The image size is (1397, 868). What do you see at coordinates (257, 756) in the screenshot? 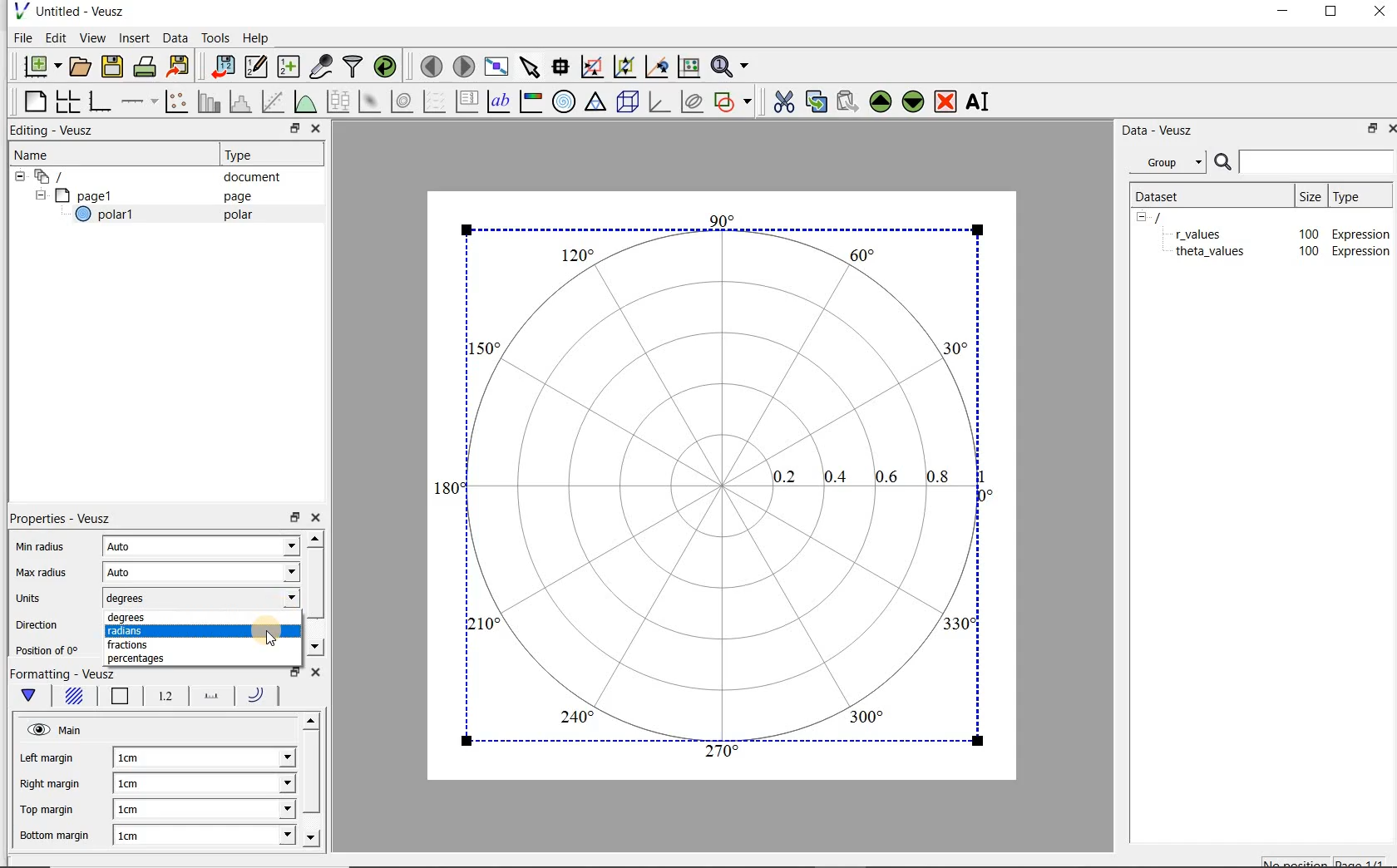
I see `Left margin dropdown` at bounding box center [257, 756].